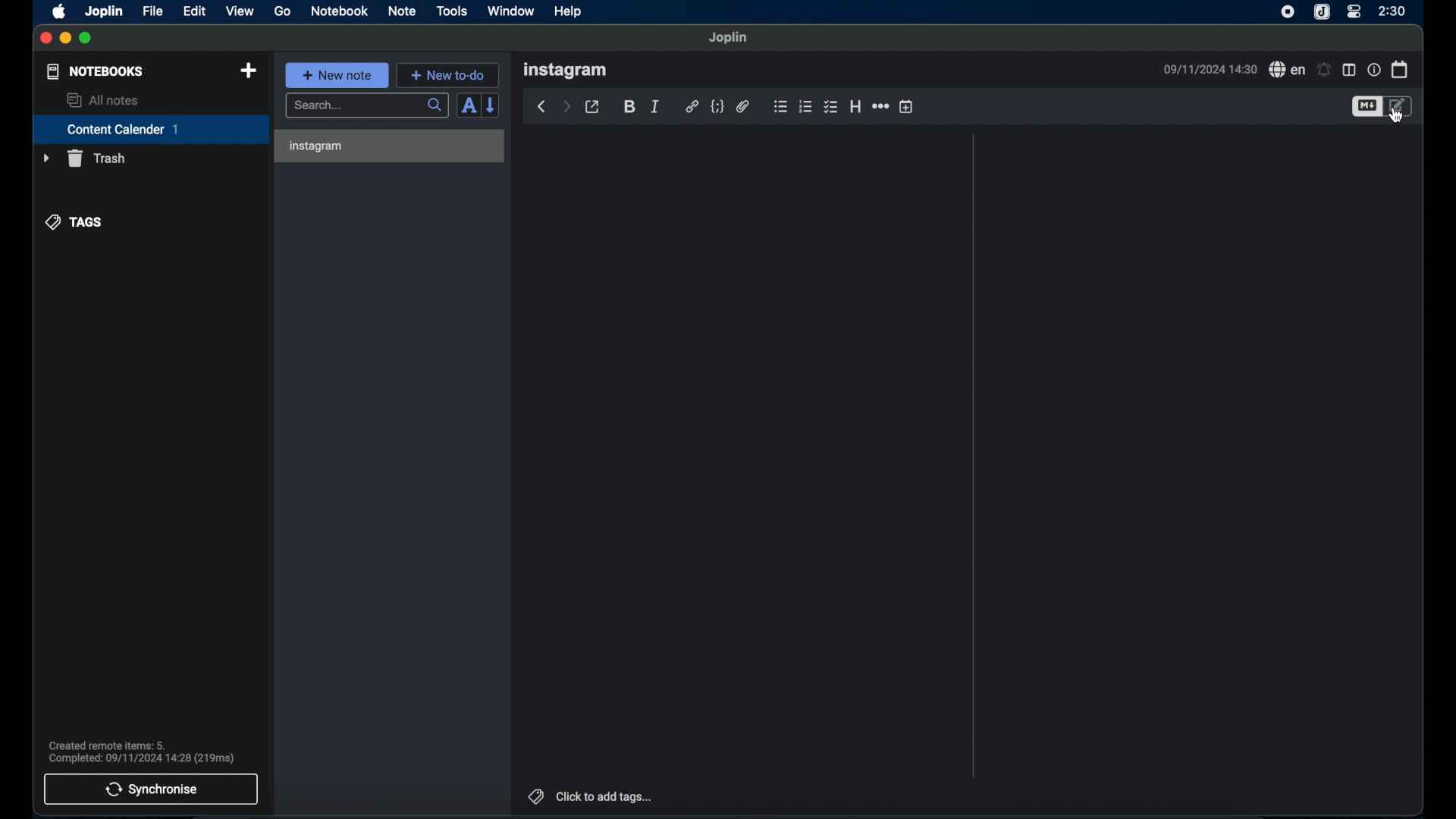  Describe the element at coordinates (104, 100) in the screenshot. I see `all notes` at that location.